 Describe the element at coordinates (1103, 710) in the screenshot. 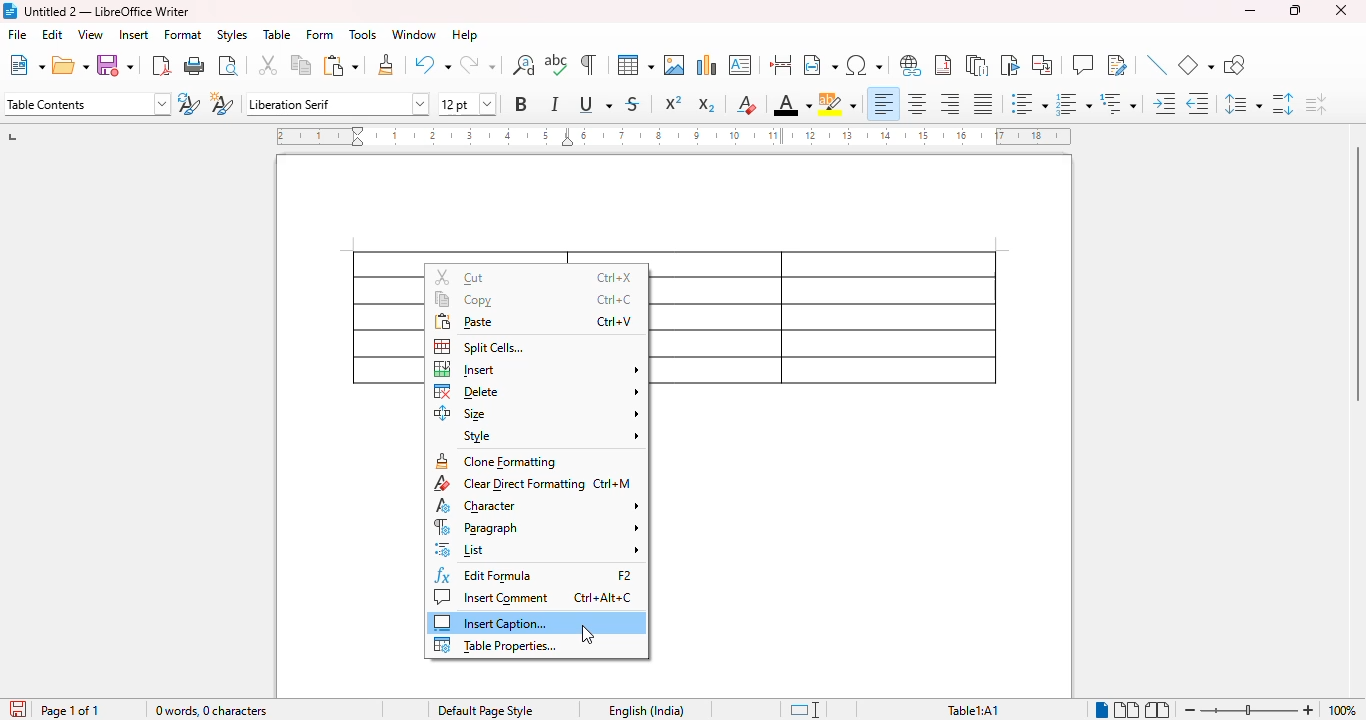

I see `single-page view` at that location.